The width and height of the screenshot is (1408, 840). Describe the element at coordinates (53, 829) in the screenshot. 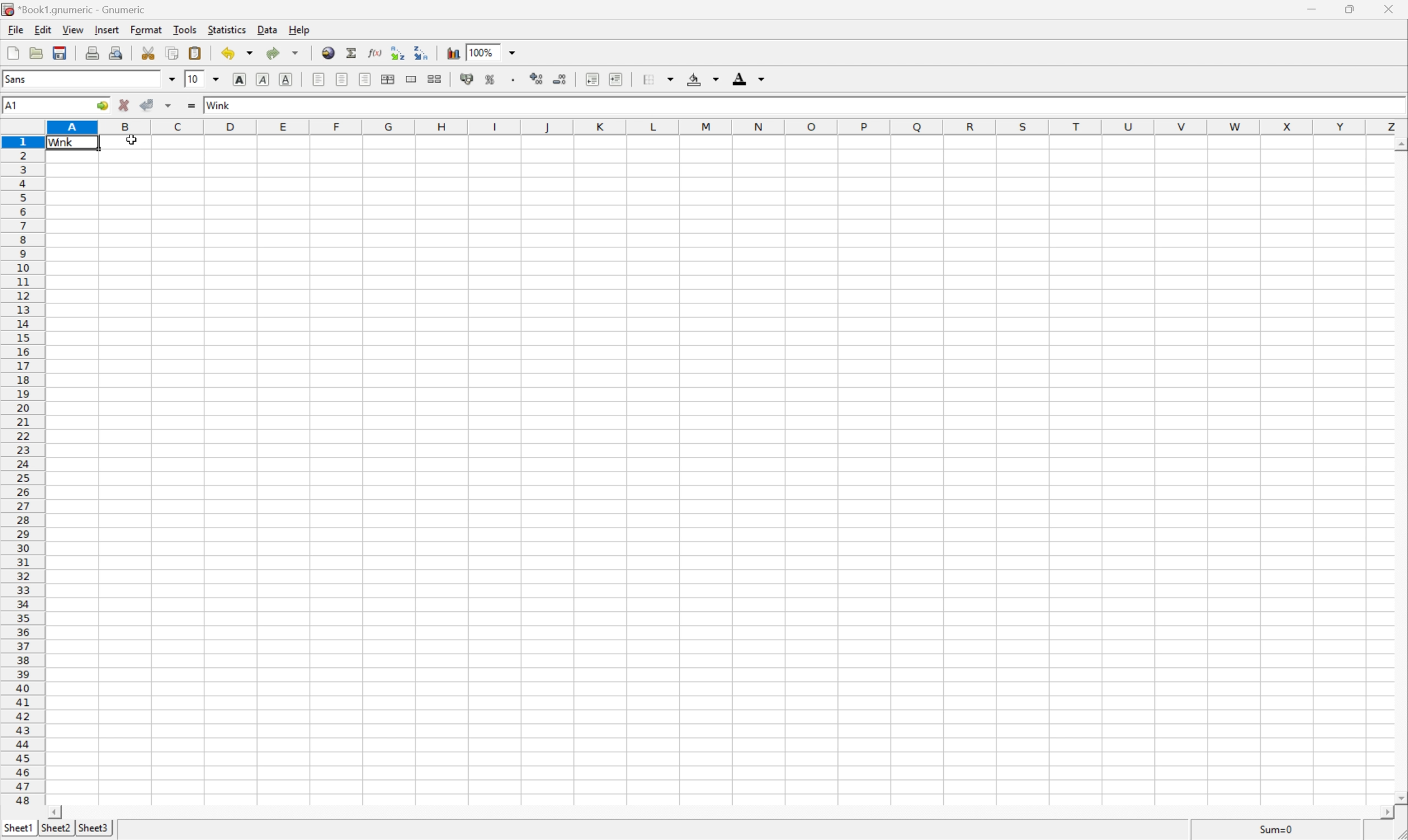

I see `sheet2` at that location.